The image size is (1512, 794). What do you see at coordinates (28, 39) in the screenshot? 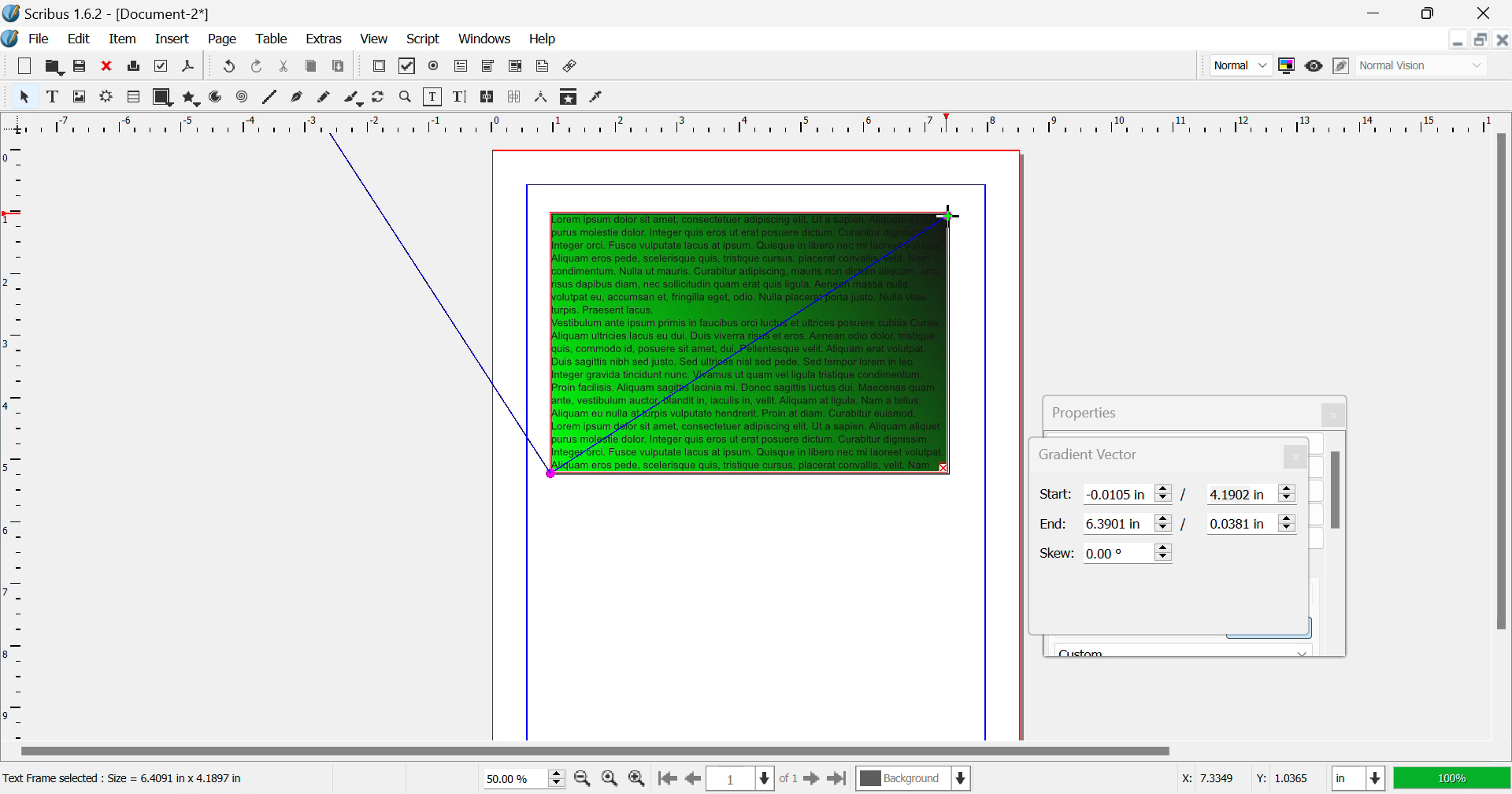
I see `File` at bounding box center [28, 39].